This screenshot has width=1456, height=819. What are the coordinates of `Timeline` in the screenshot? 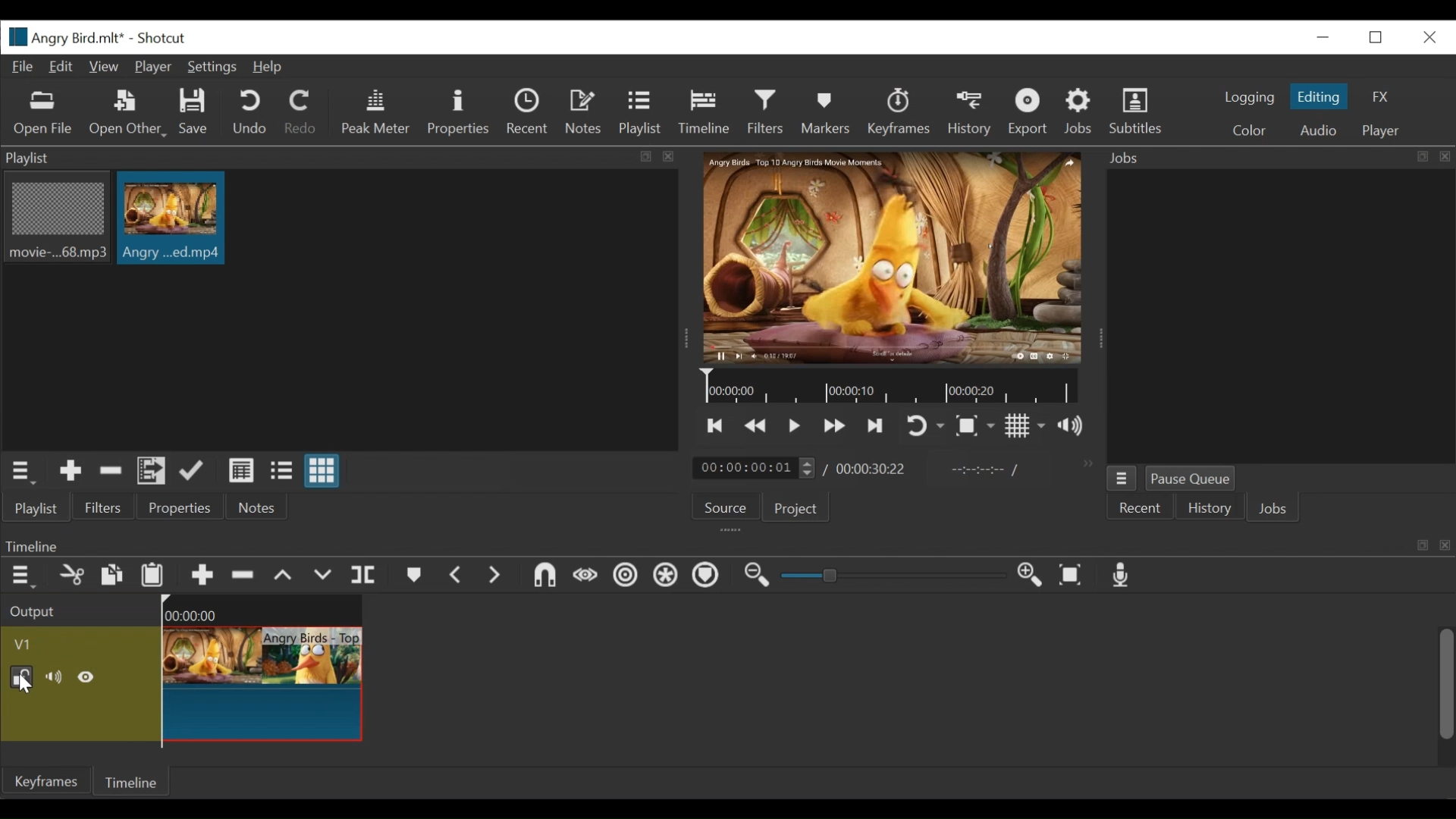 It's located at (704, 113).